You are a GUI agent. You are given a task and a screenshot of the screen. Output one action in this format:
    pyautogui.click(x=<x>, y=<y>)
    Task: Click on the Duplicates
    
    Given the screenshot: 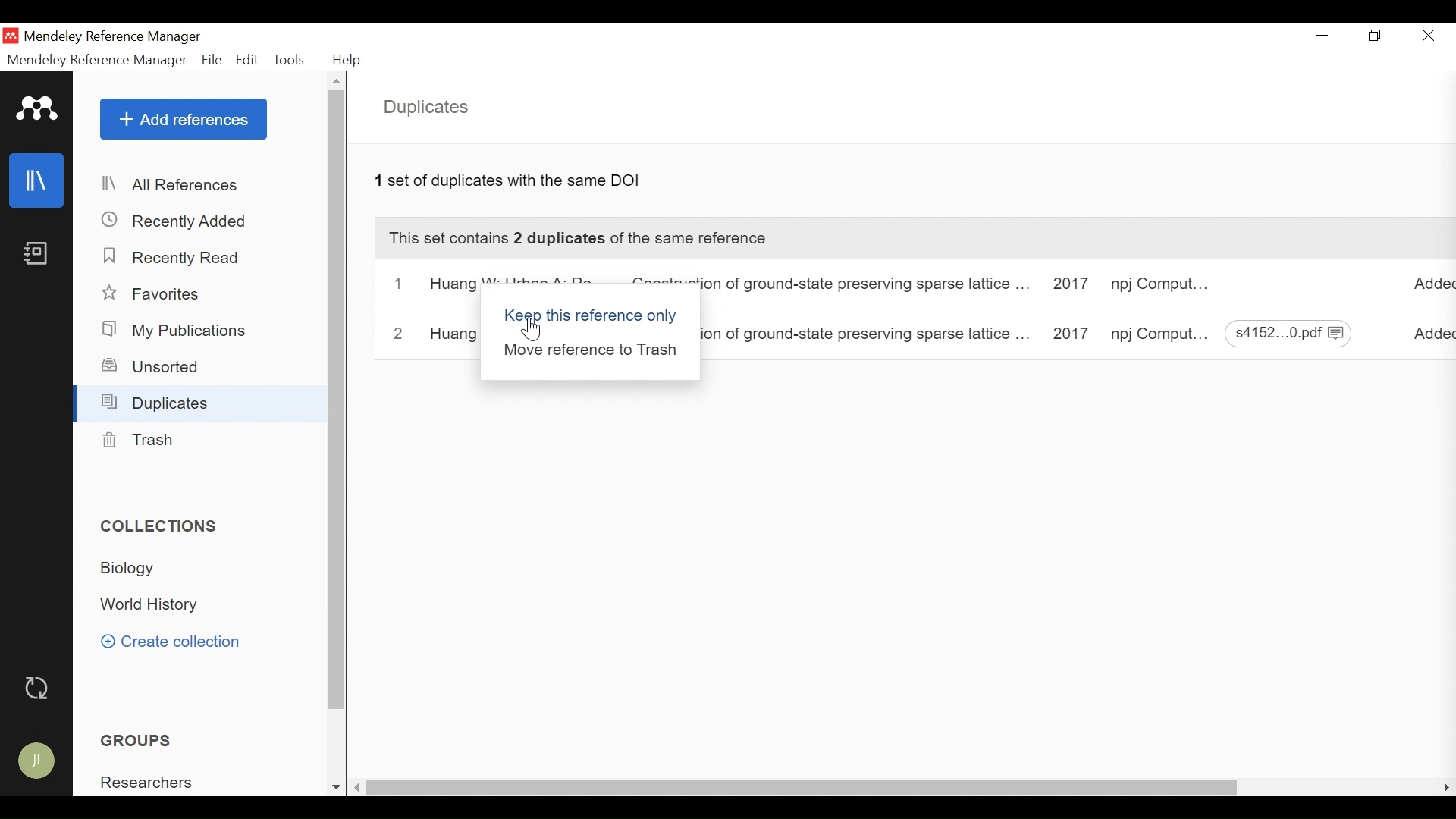 What is the action you would take?
    pyautogui.click(x=156, y=402)
    